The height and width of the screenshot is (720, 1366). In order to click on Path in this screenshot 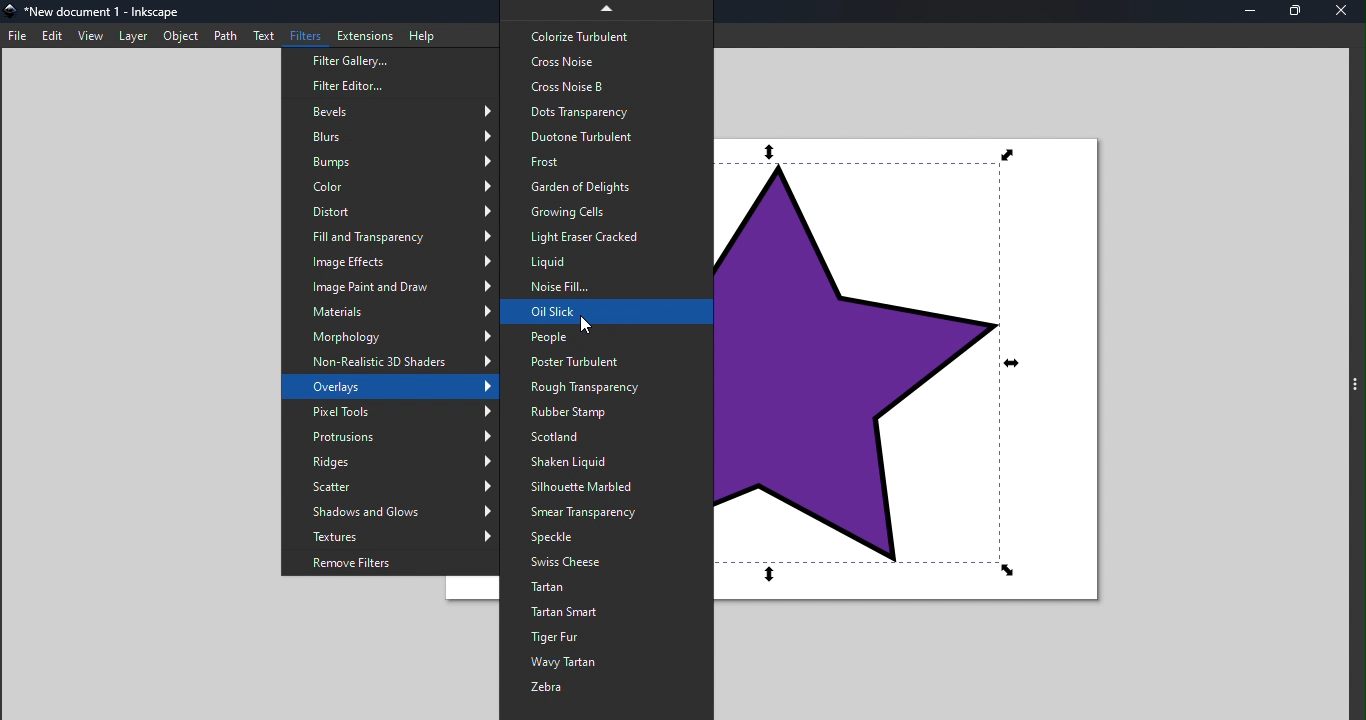, I will do `click(225, 35)`.